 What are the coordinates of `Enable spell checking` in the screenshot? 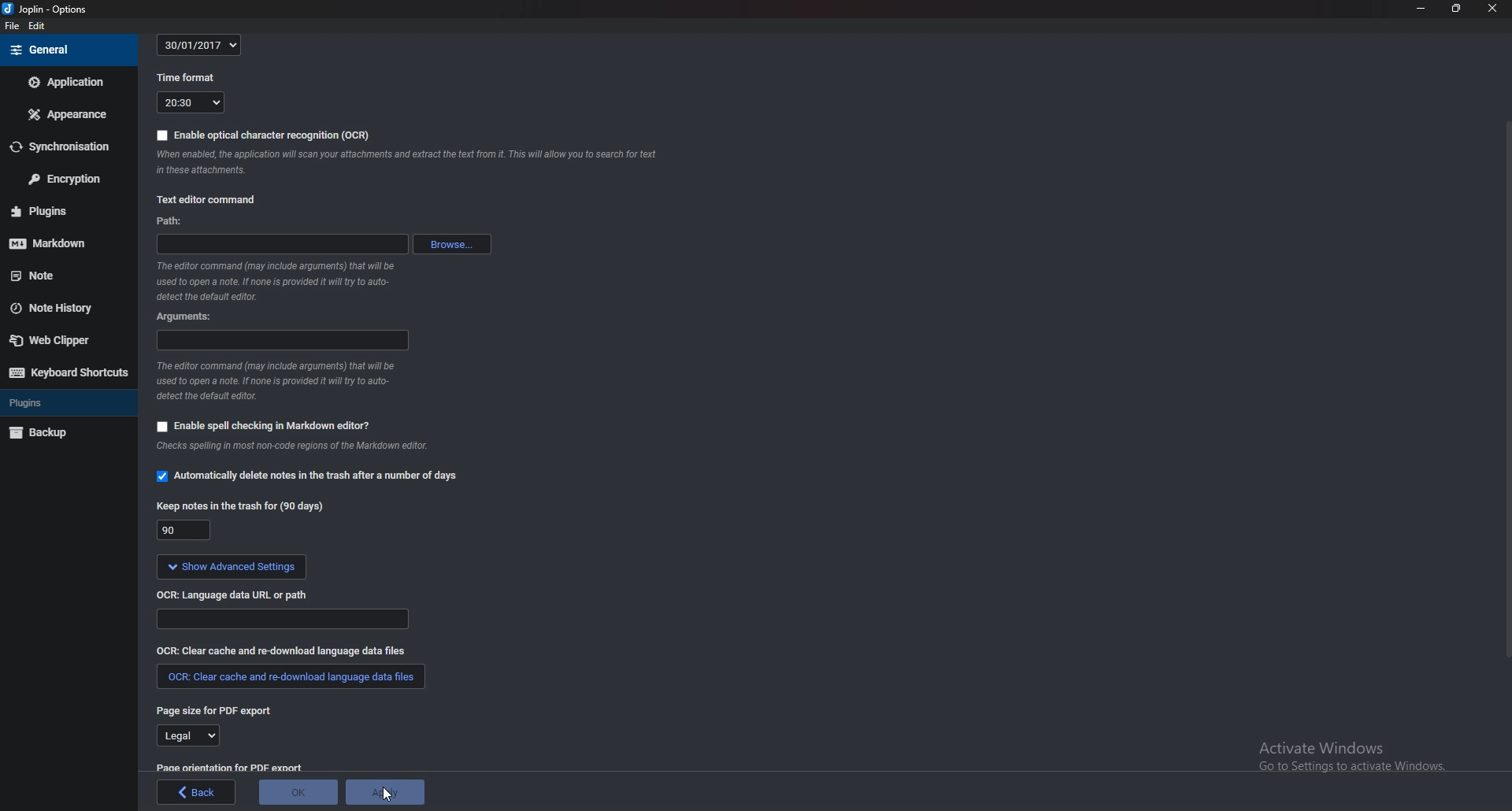 It's located at (265, 426).